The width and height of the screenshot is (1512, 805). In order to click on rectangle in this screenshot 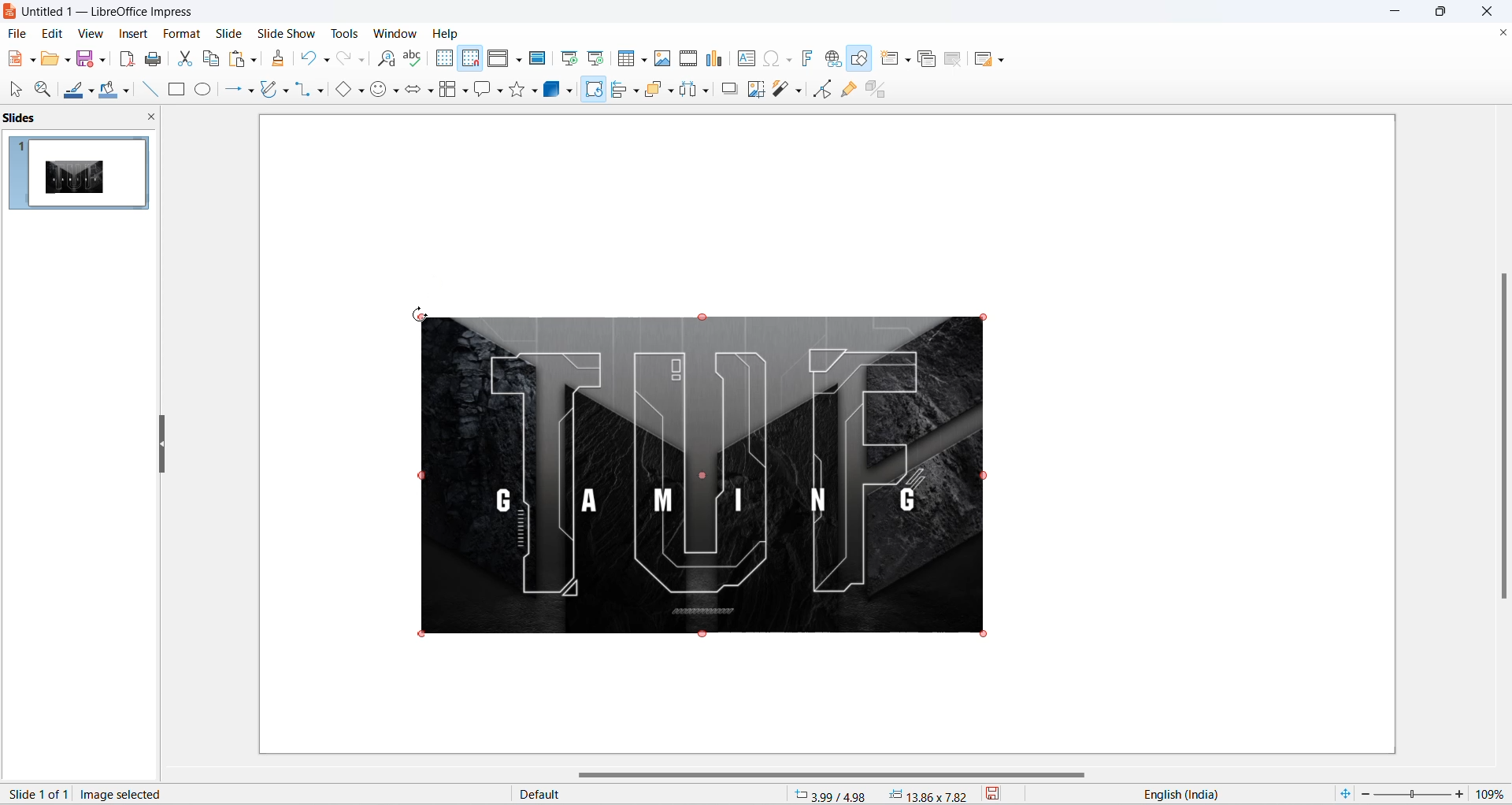, I will do `click(176, 91)`.